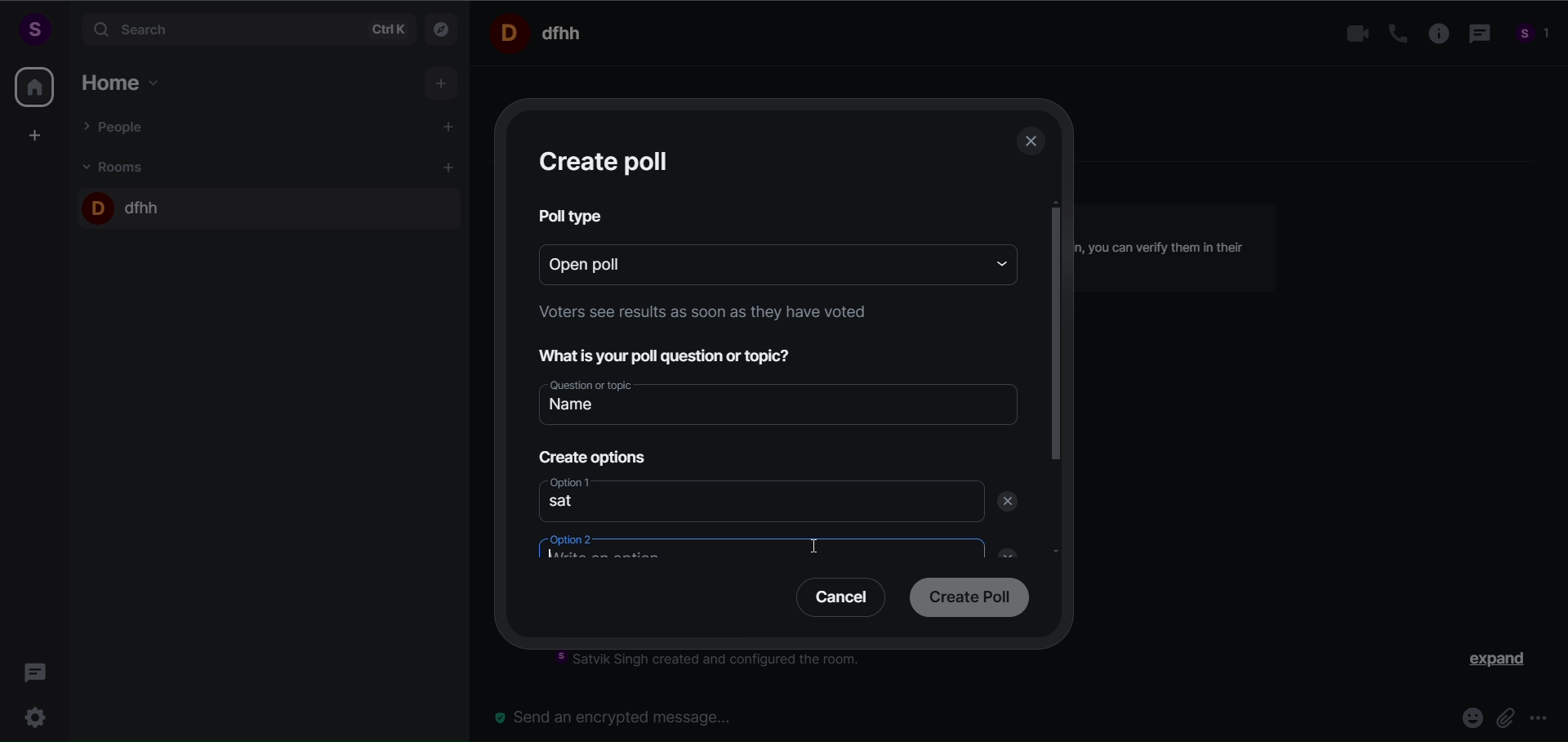 Image resolution: width=1568 pixels, height=742 pixels. What do you see at coordinates (245, 29) in the screenshot?
I see `search bar` at bounding box center [245, 29].